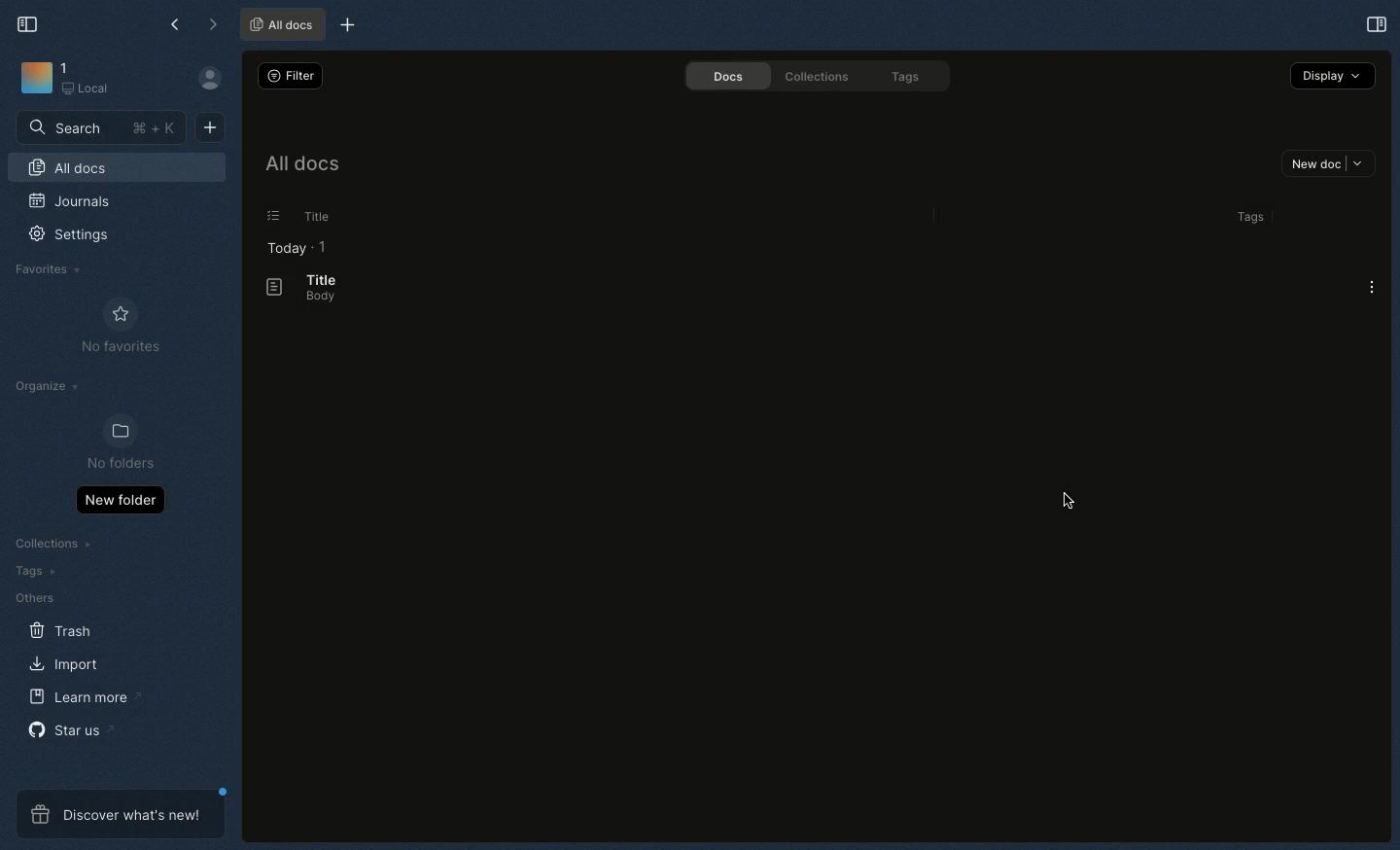 The height and width of the screenshot is (850, 1400). Describe the element at coordinates (323, 246) in the screenshot. I see `1 item` at that location.